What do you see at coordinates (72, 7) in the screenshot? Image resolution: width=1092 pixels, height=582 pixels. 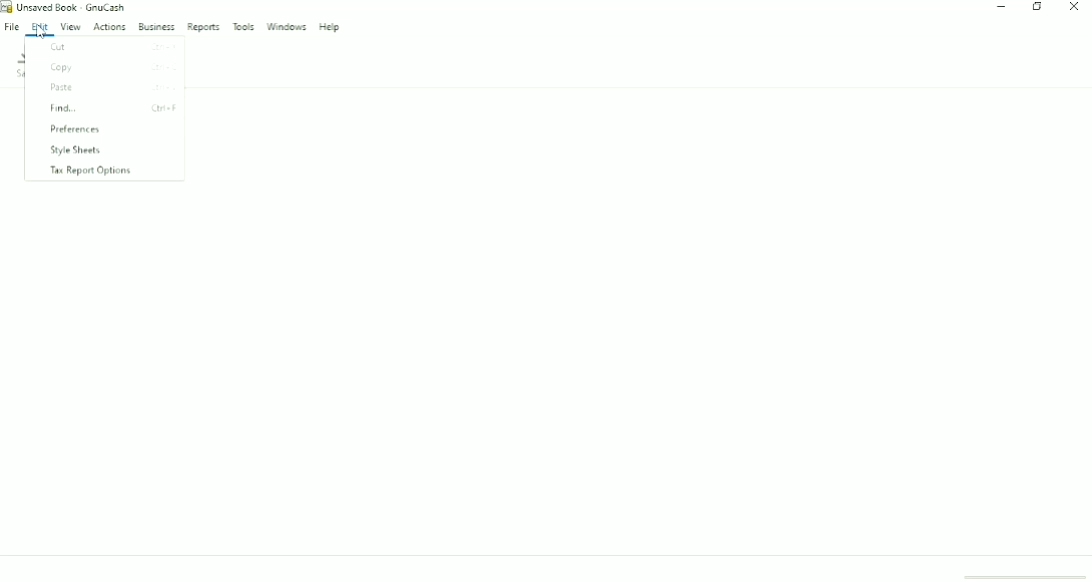 I see `unsaved book - gnucash` at bounding box center [72, 7].